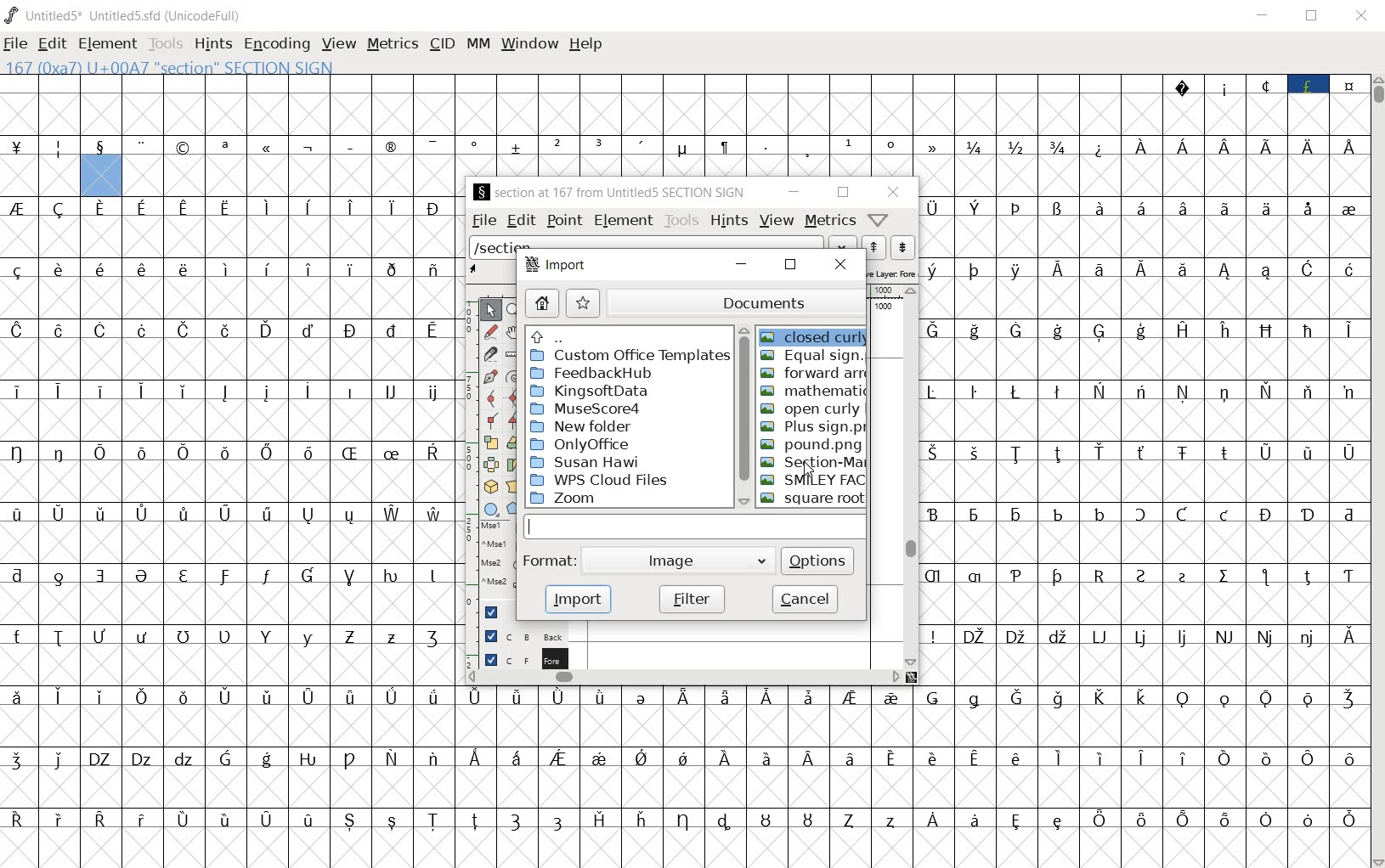  Describe the element at coordinates (829, 221) in the screenshot. I see `metrics` at that location.